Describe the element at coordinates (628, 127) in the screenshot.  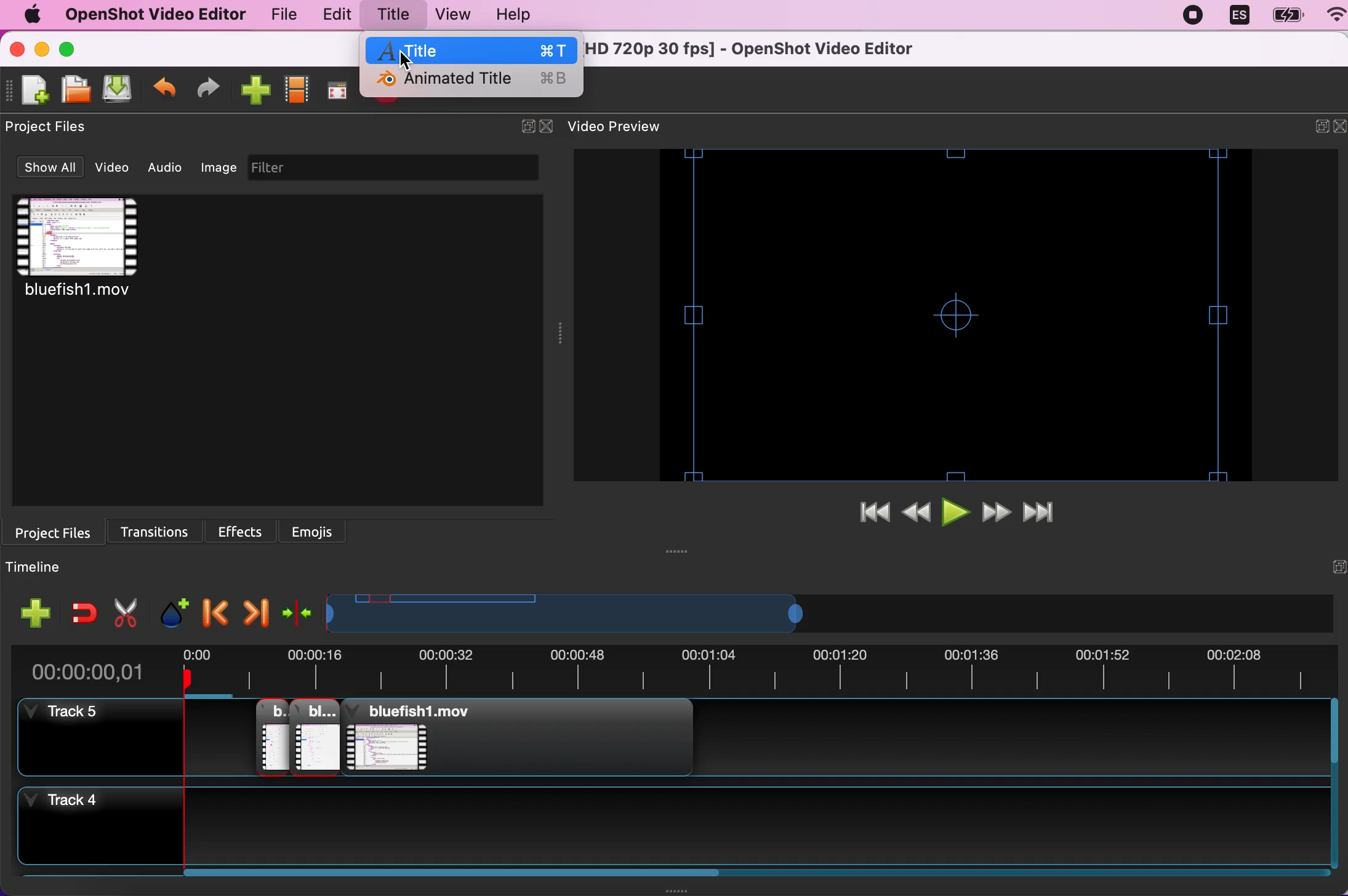
I see `video preview` at that location.